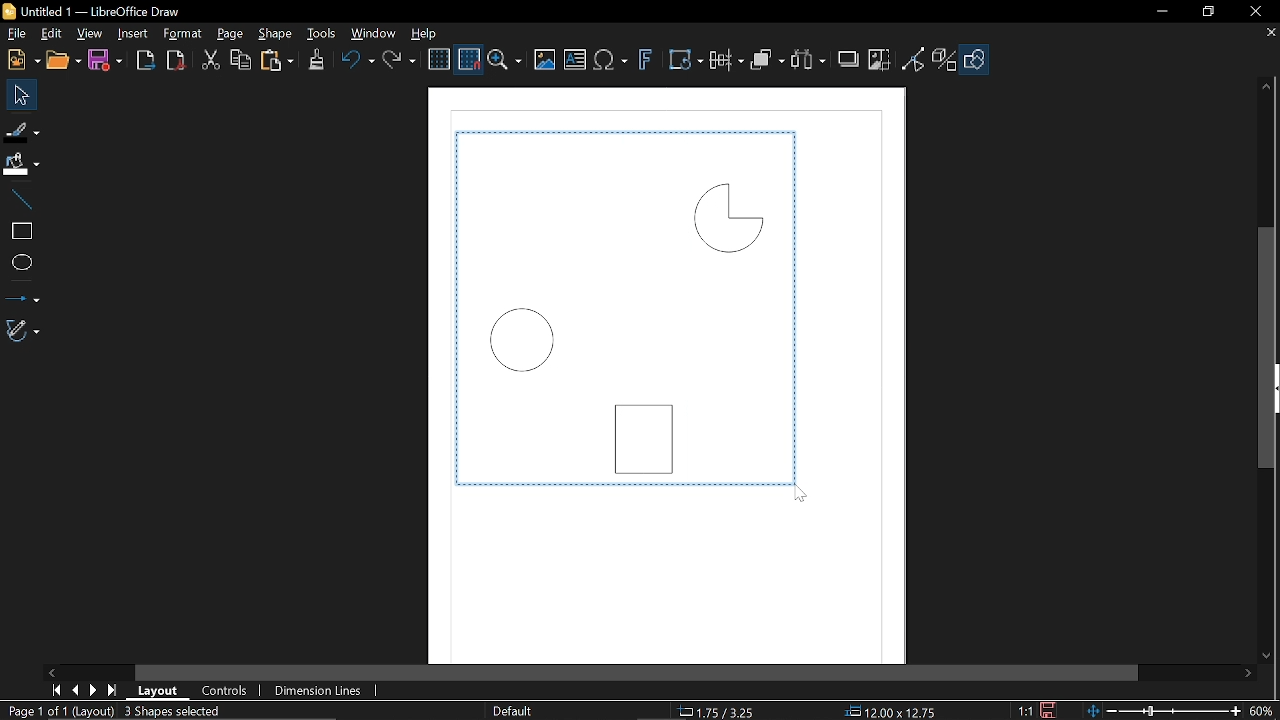 Image resolution: width=1280 pixels, height=720 pixels. What do you see at coordinates (182, 34) in the screenshot?
I see `Format` at bounding box center [182, 34].